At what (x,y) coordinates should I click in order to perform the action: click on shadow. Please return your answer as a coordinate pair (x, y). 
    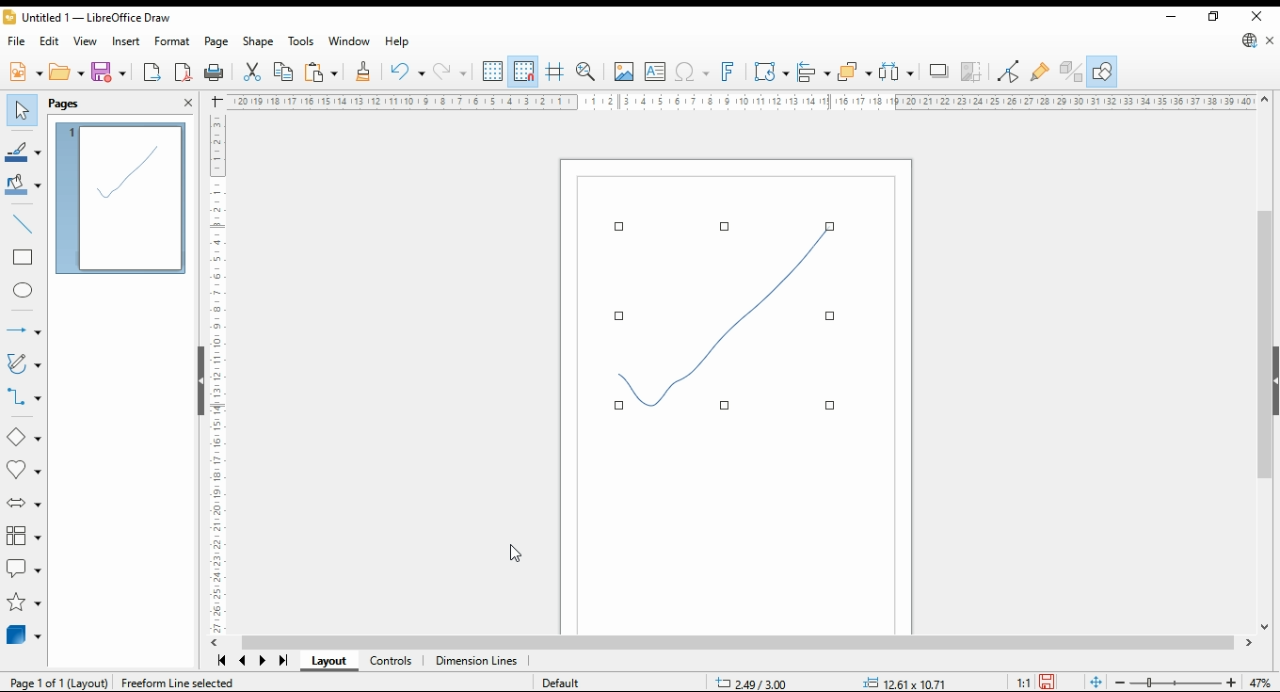
    Looking at the image, I should click on (937, 71).